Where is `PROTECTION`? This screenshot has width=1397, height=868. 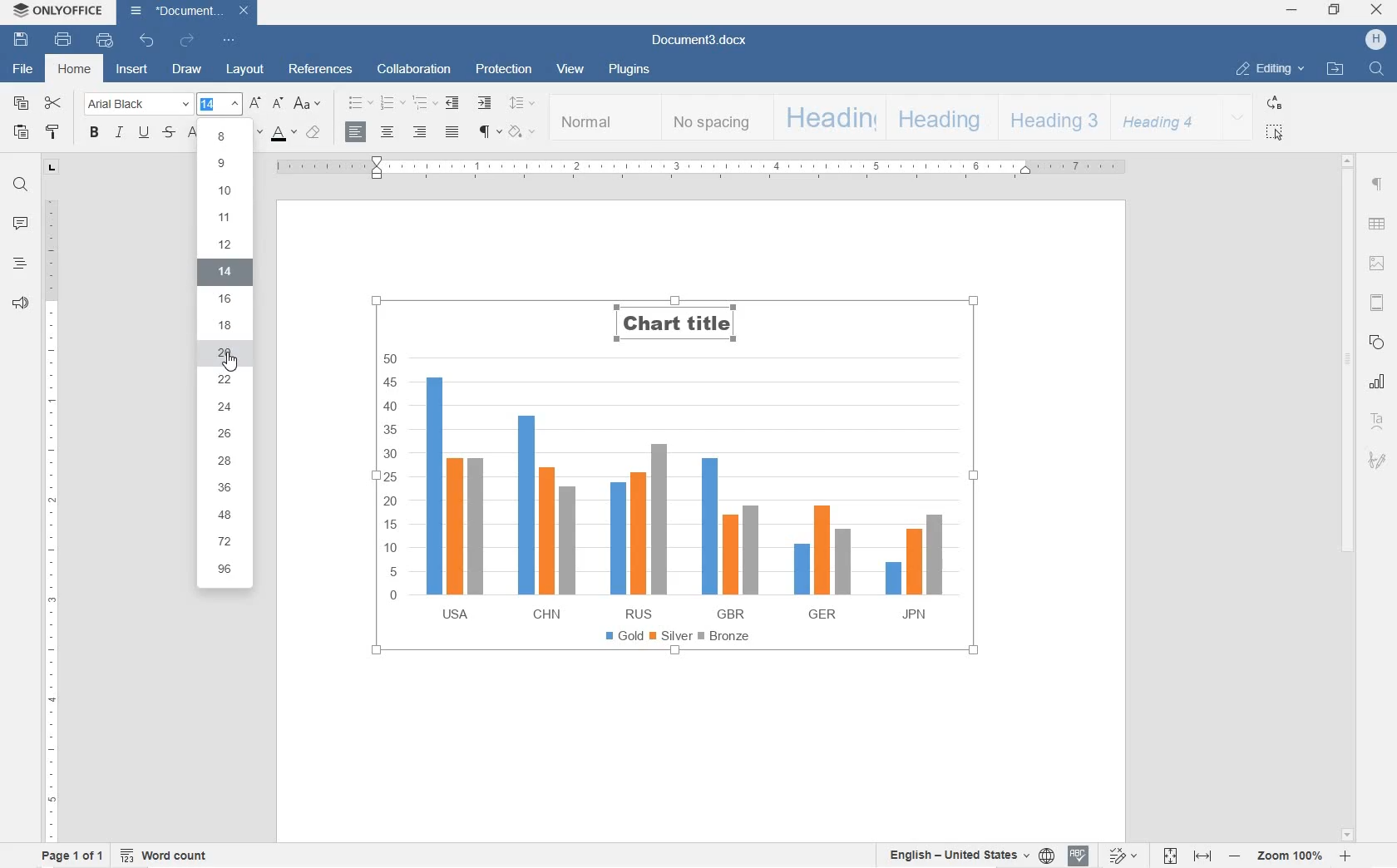 PROTECTION is located at coordinates (501, 69).